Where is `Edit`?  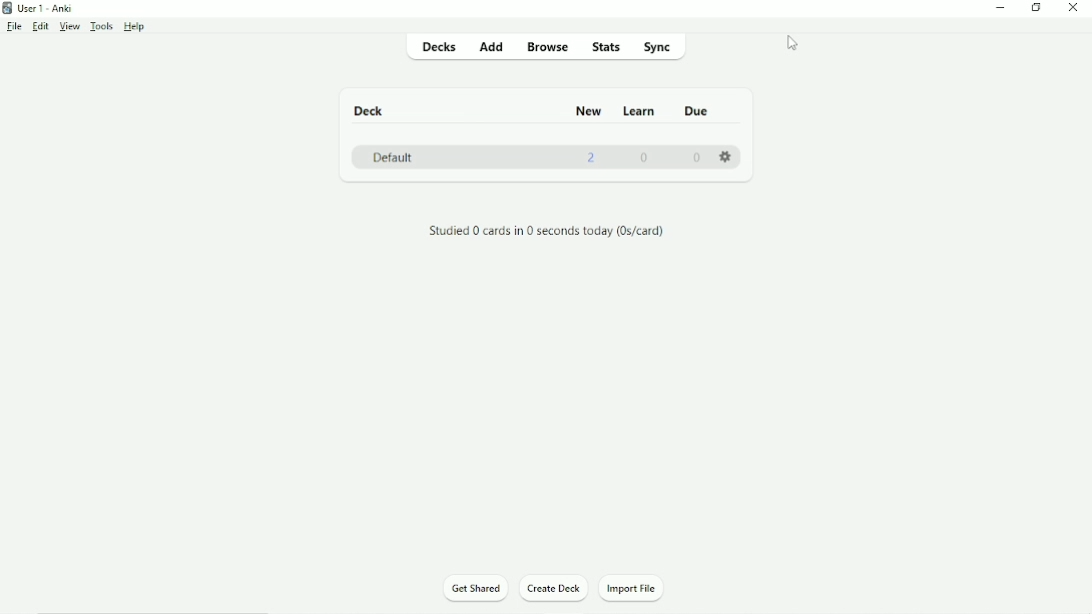 Edit is located at coordinates (40, 25).